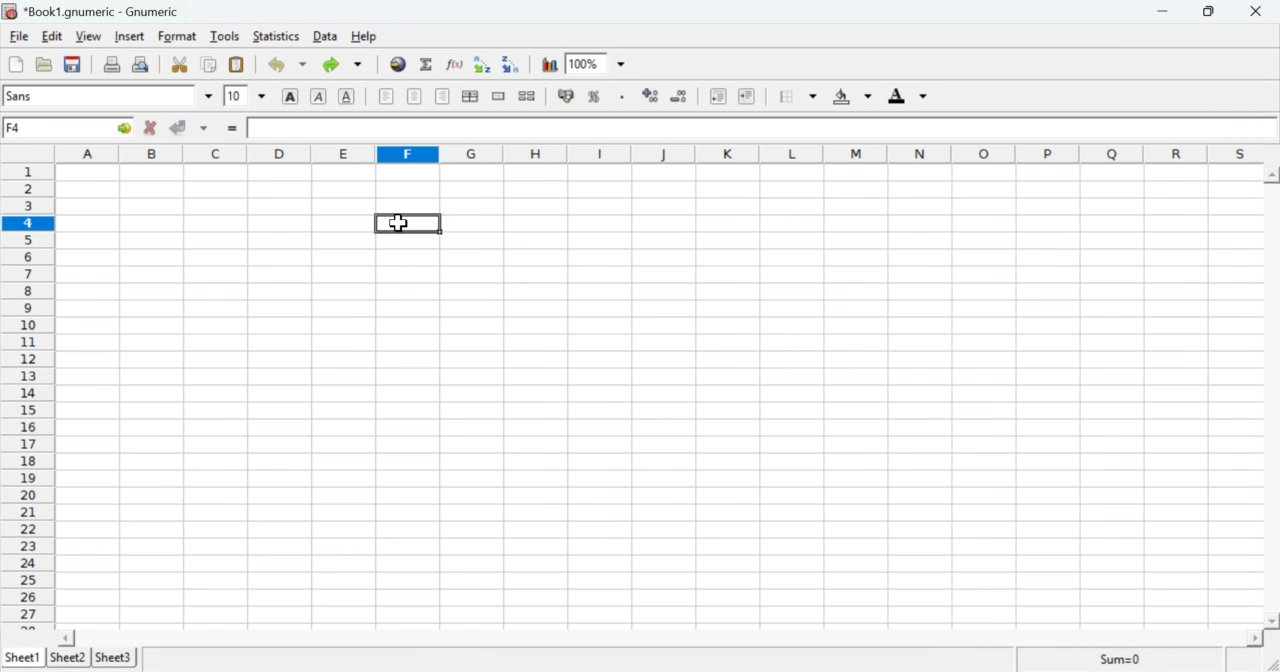 Image resolution: width=1280 pixels, height=672 pixels. I want to click on Decrease indent, so click(717, 95).